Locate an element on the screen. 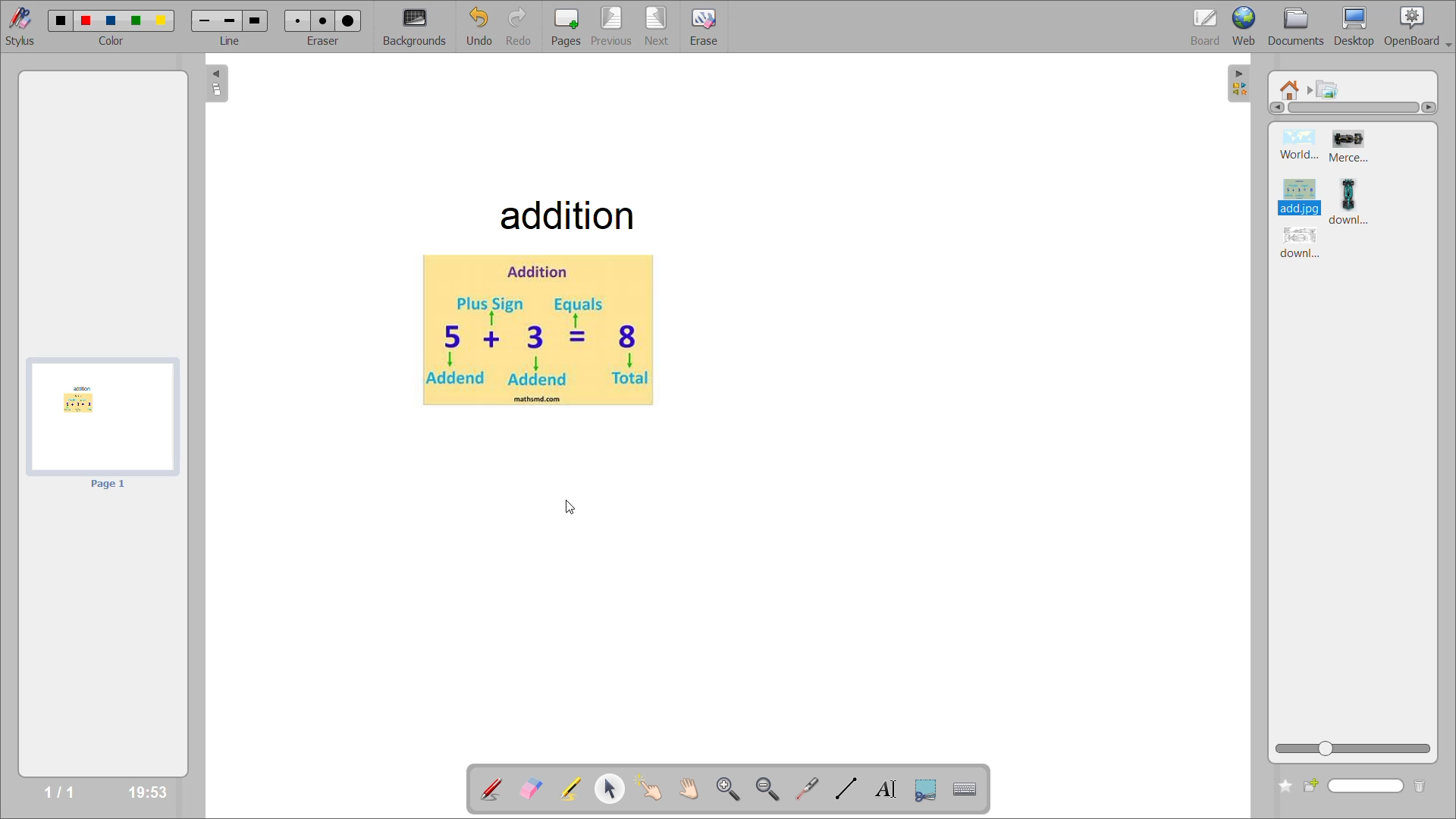 The image size is (1456, 819). virtual laser pointer is located at coordinates (806, 789).